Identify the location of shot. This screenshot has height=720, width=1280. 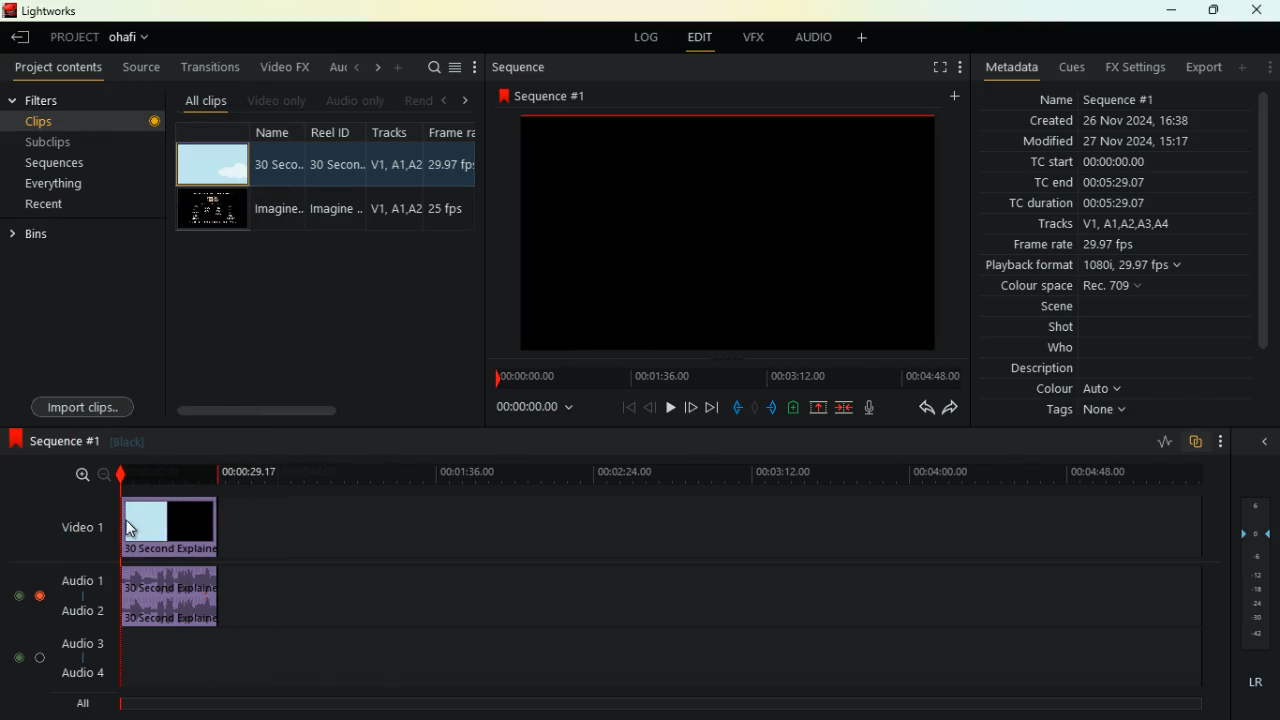
(1062, 329).